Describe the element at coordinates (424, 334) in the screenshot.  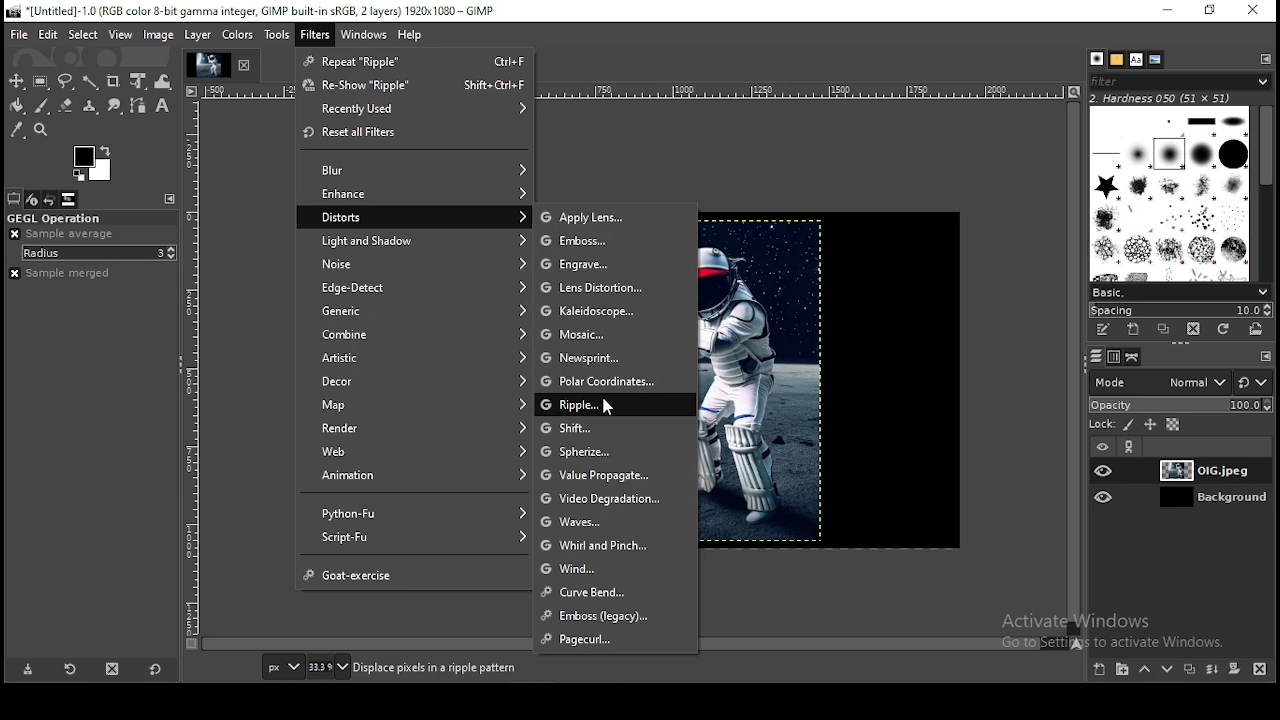
I see `combine` at that location.